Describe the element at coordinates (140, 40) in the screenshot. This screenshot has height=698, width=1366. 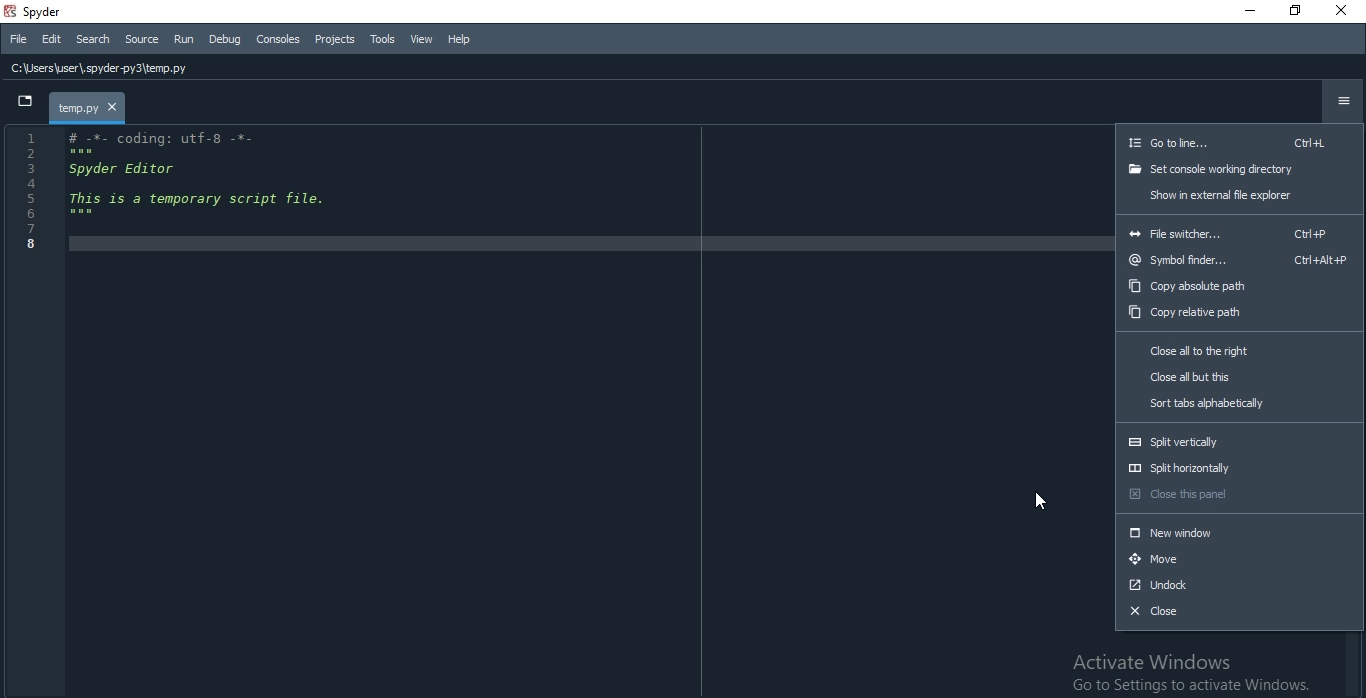
I see `Source` at that location.